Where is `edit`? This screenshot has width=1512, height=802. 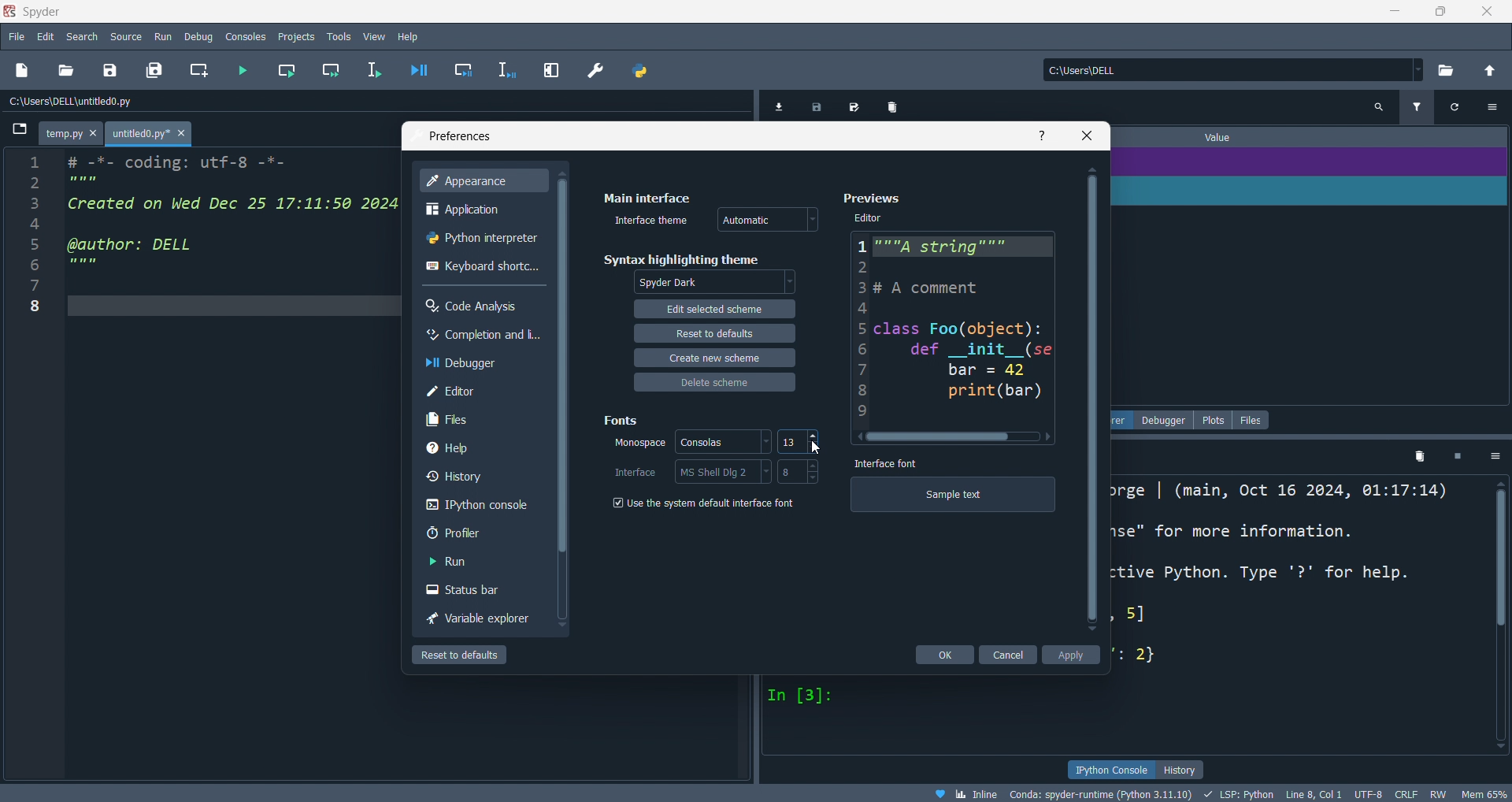
edit is located at coordinates (712, 308).